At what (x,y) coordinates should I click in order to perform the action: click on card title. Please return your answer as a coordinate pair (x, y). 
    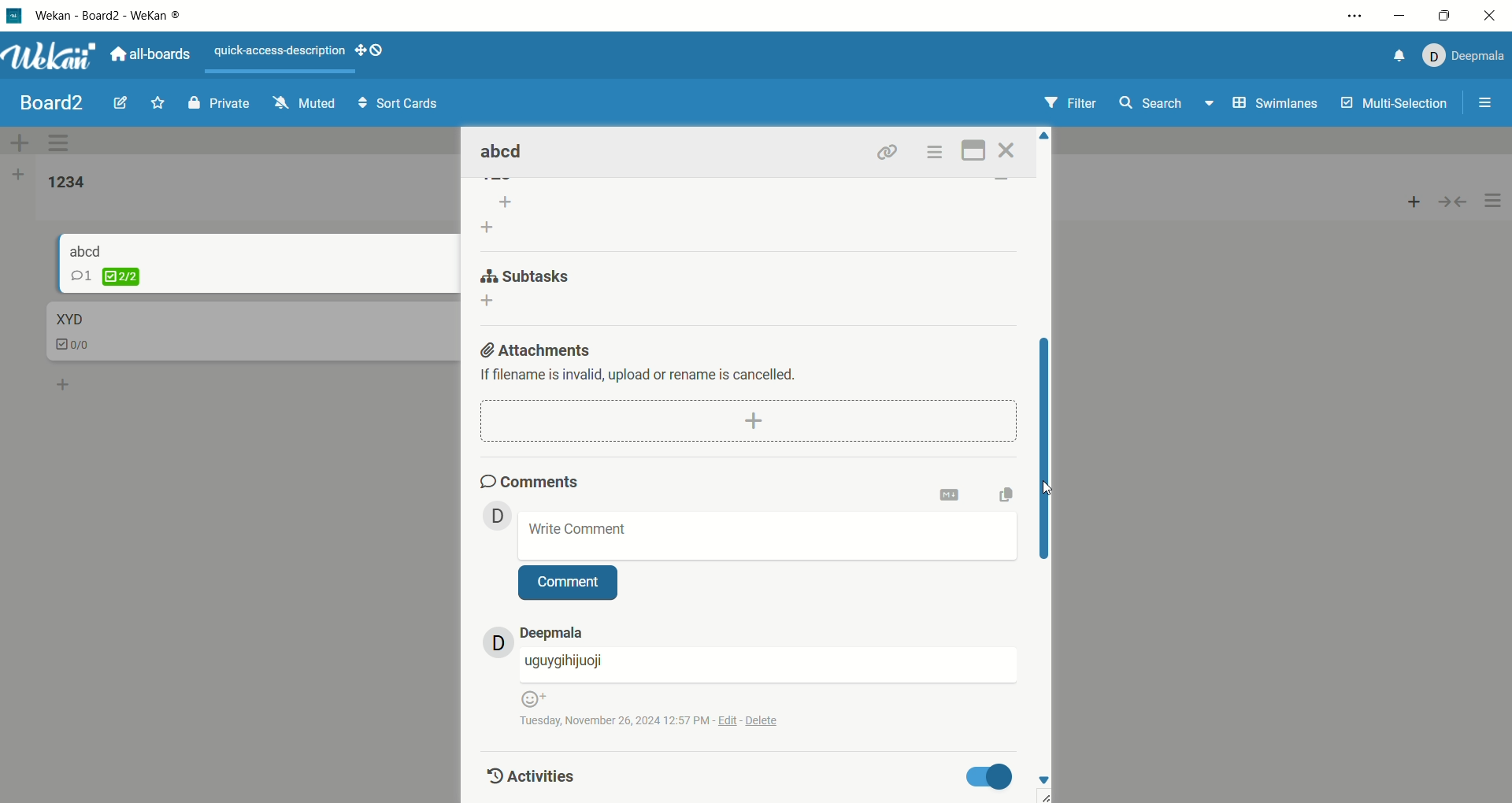
    Looking at the image, I should click on (87, 250).